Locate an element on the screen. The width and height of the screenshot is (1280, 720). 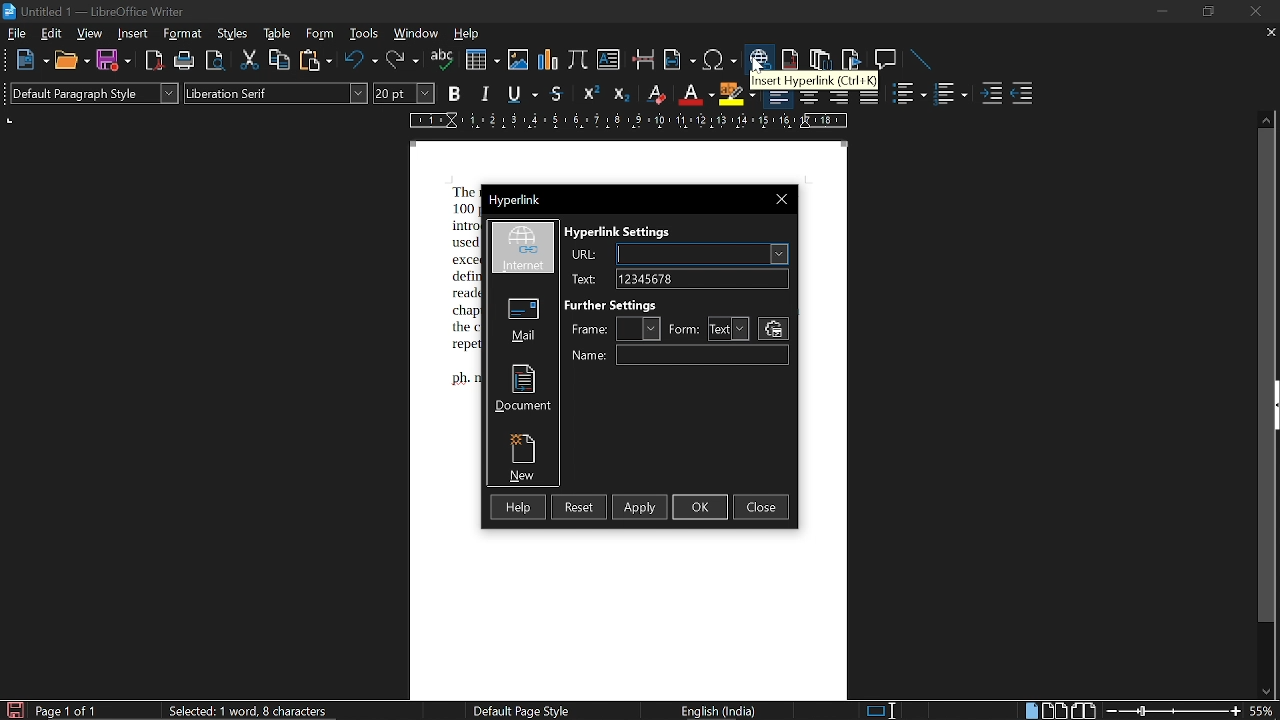
toggle ordered list is located at coordinates (951, 96).